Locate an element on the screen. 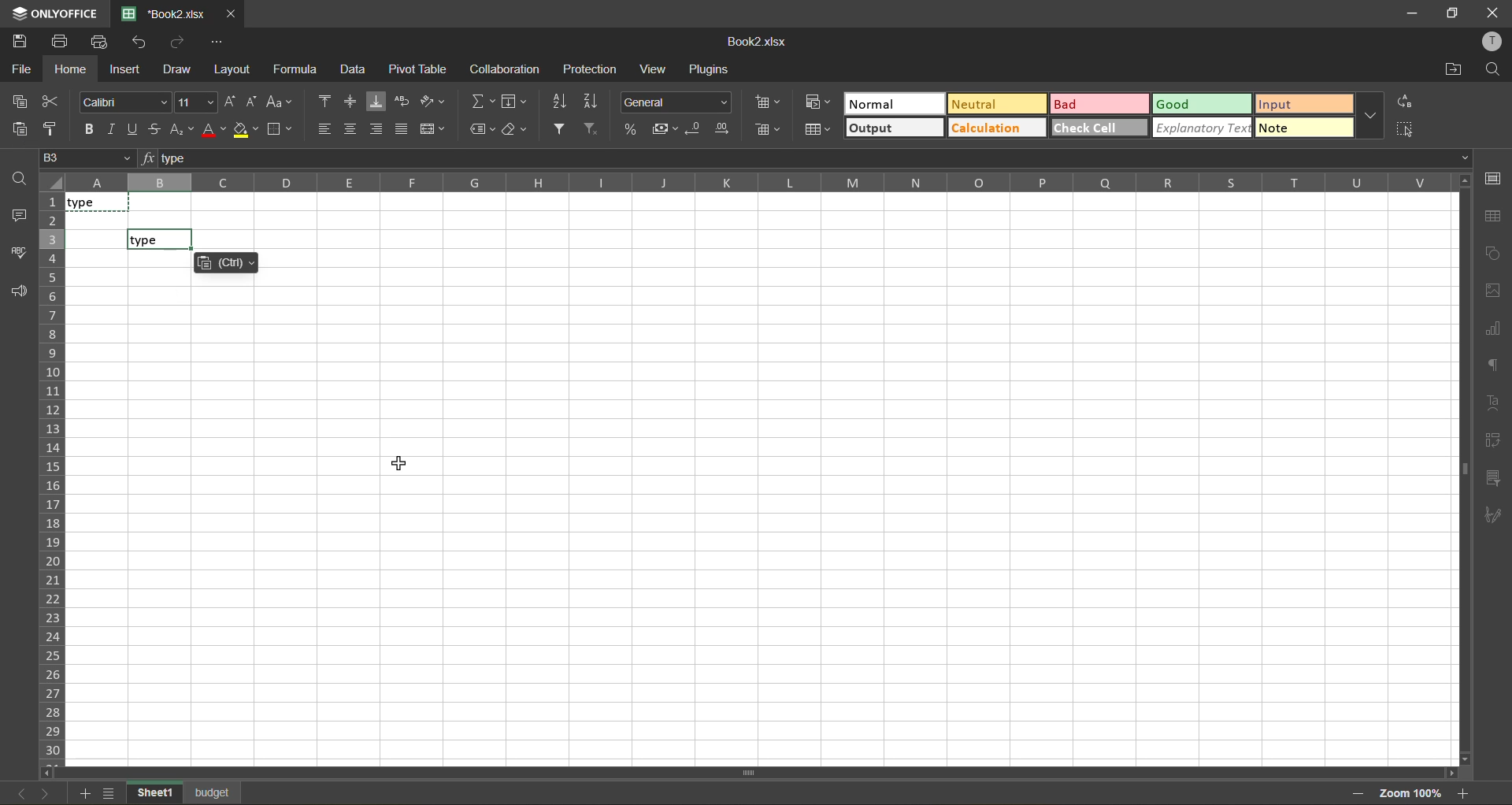 This screenshot has height=805, width=1512. row numbers is located at coordinates (52, 478).